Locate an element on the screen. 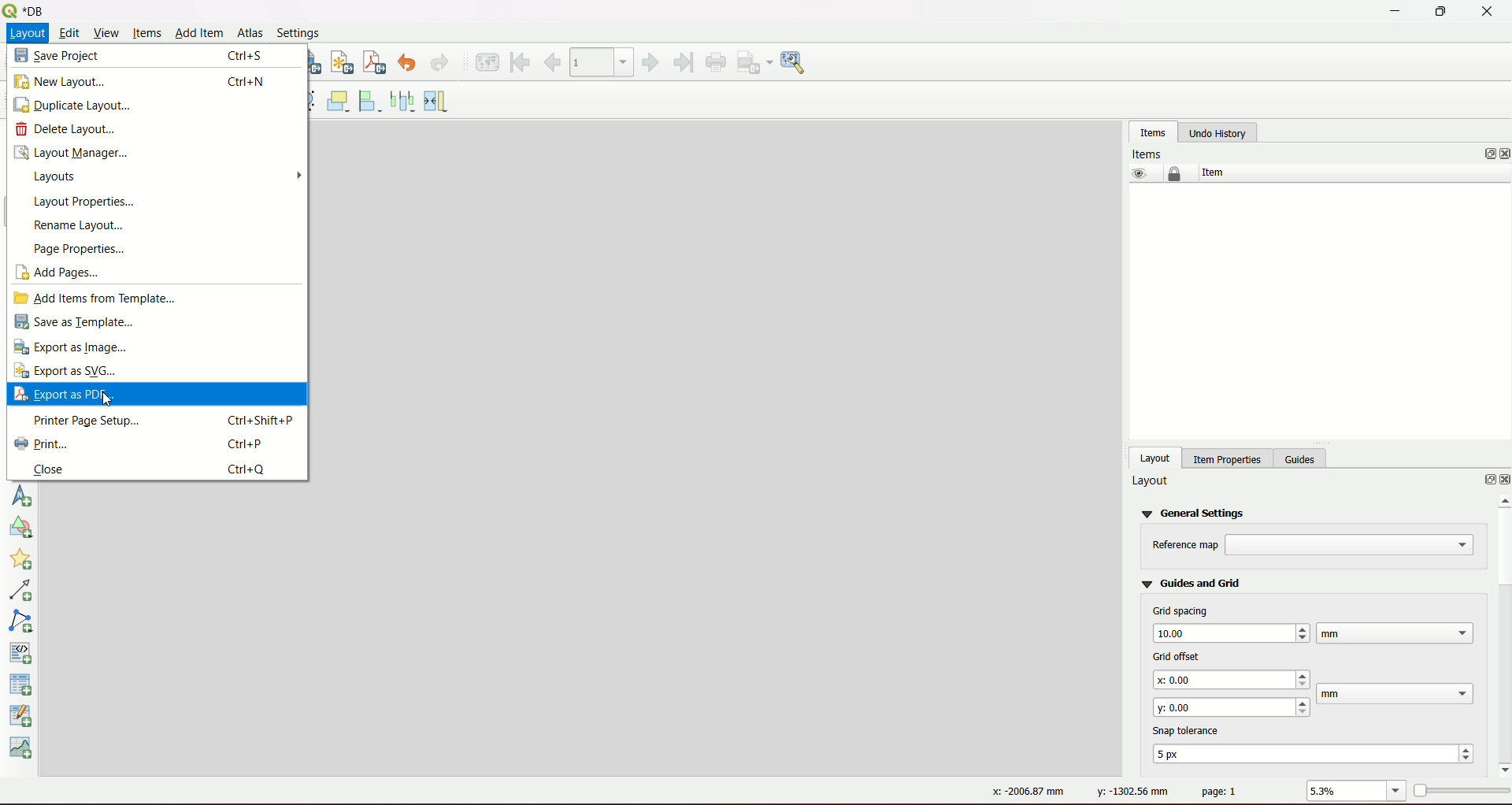 The image size is (1512, 805). Cursor is located at coordinates (106, 399).